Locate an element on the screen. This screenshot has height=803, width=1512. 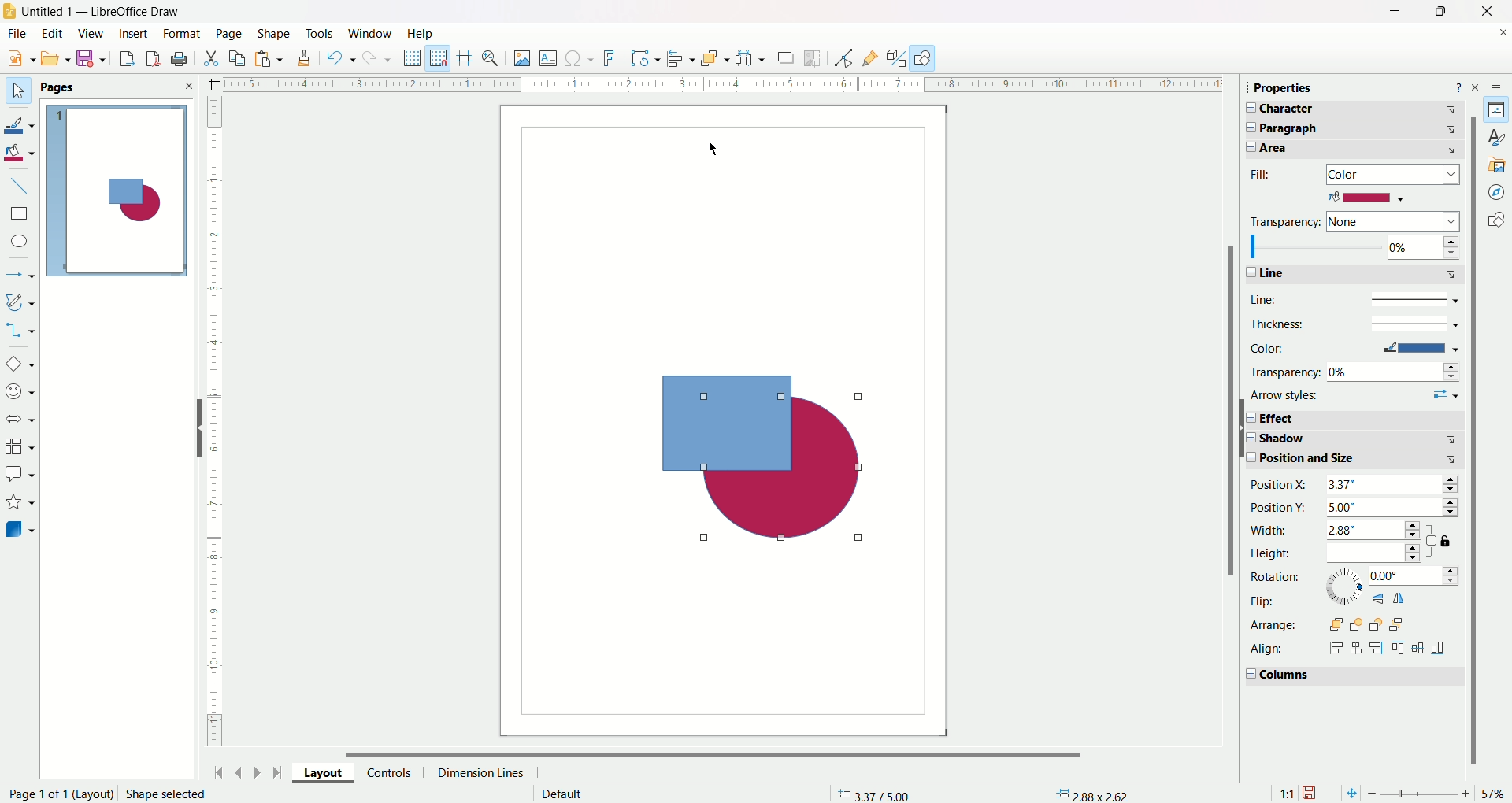
page is located at coordinates (114, 794).